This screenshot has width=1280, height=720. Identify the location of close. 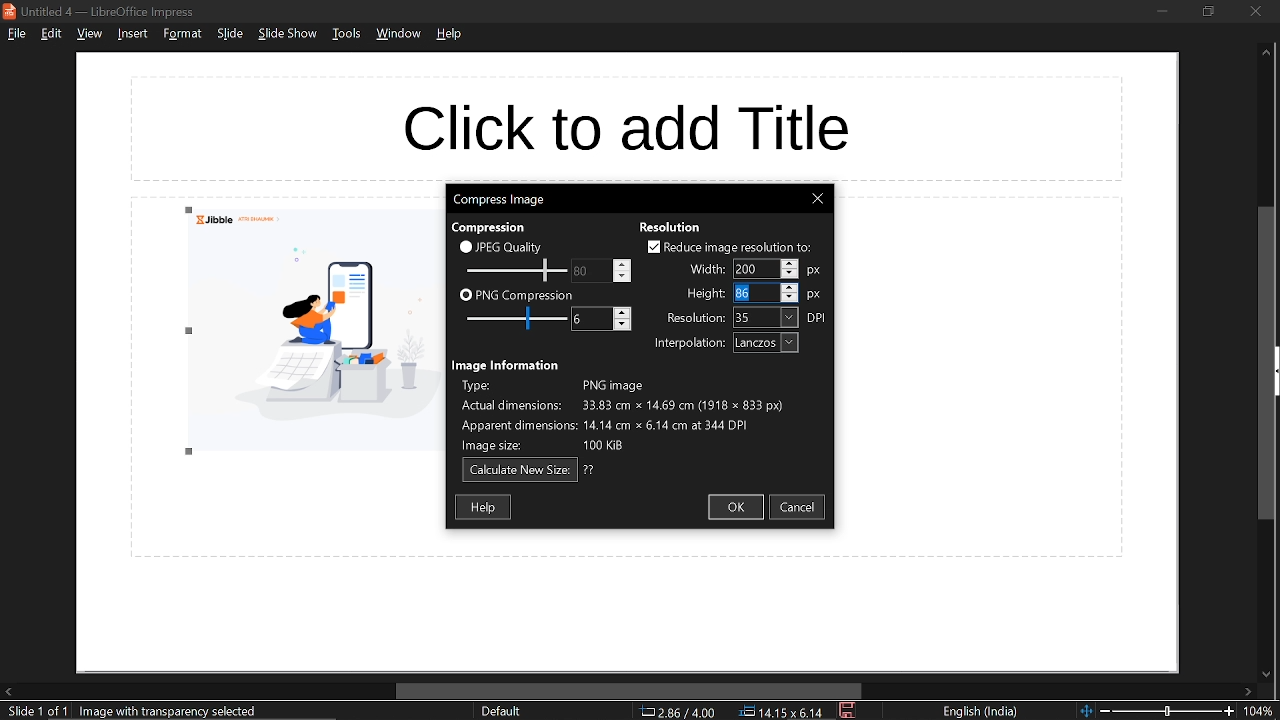
(1255, 11).